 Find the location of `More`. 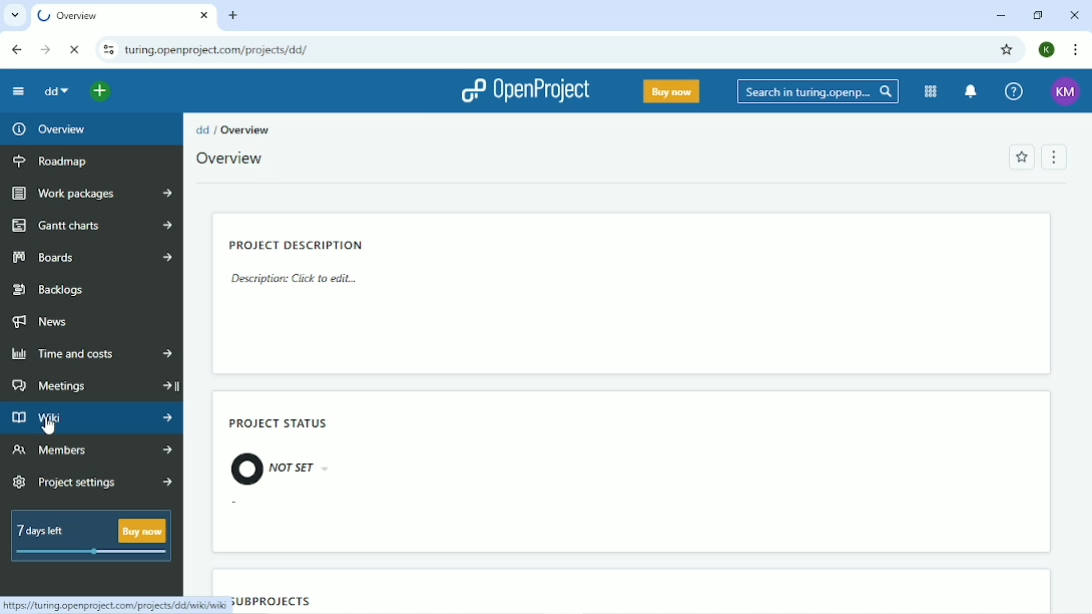

More is located at coordinates (163, 383).